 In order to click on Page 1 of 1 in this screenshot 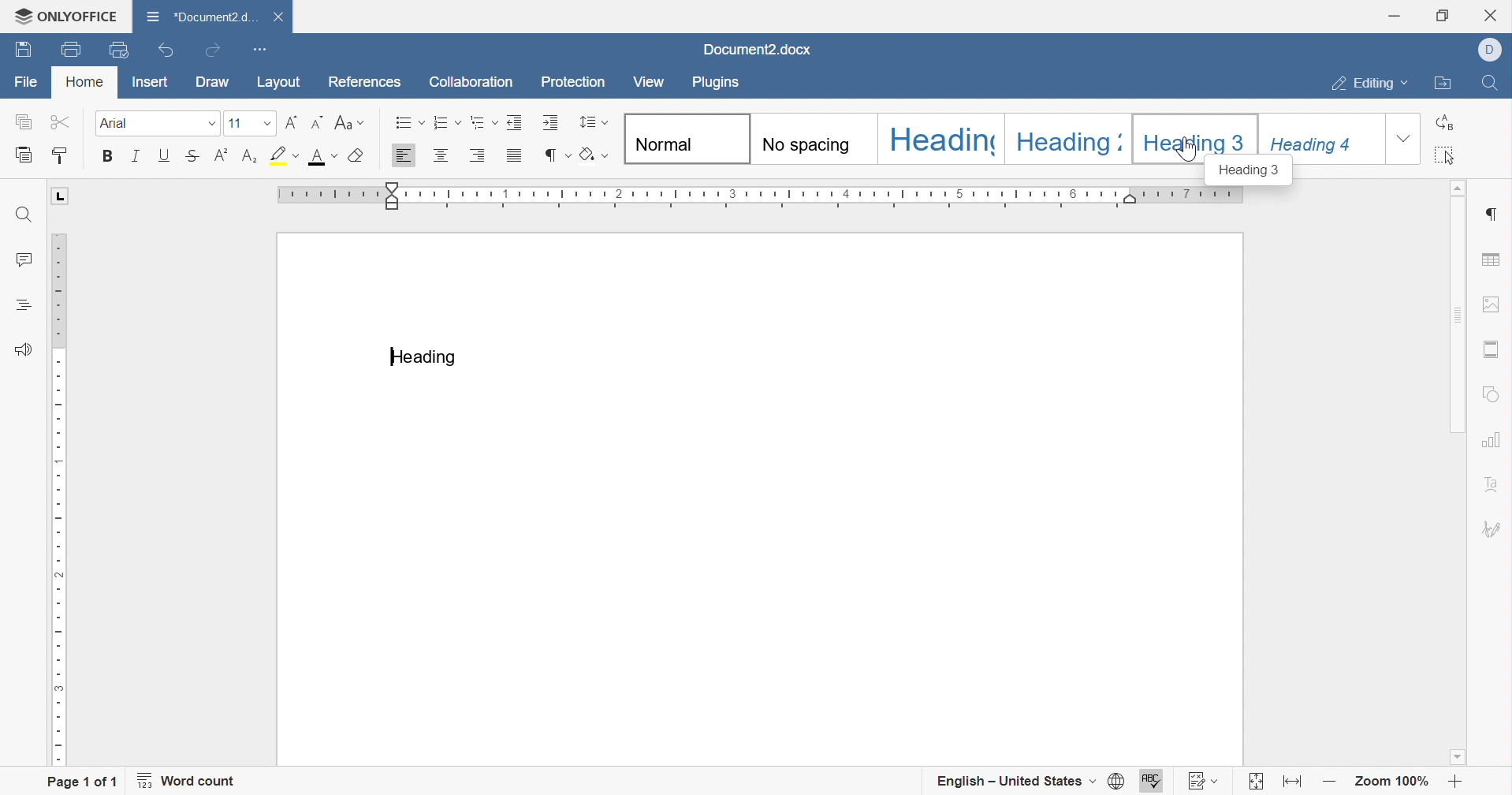, I will do `click(81, 782)`.